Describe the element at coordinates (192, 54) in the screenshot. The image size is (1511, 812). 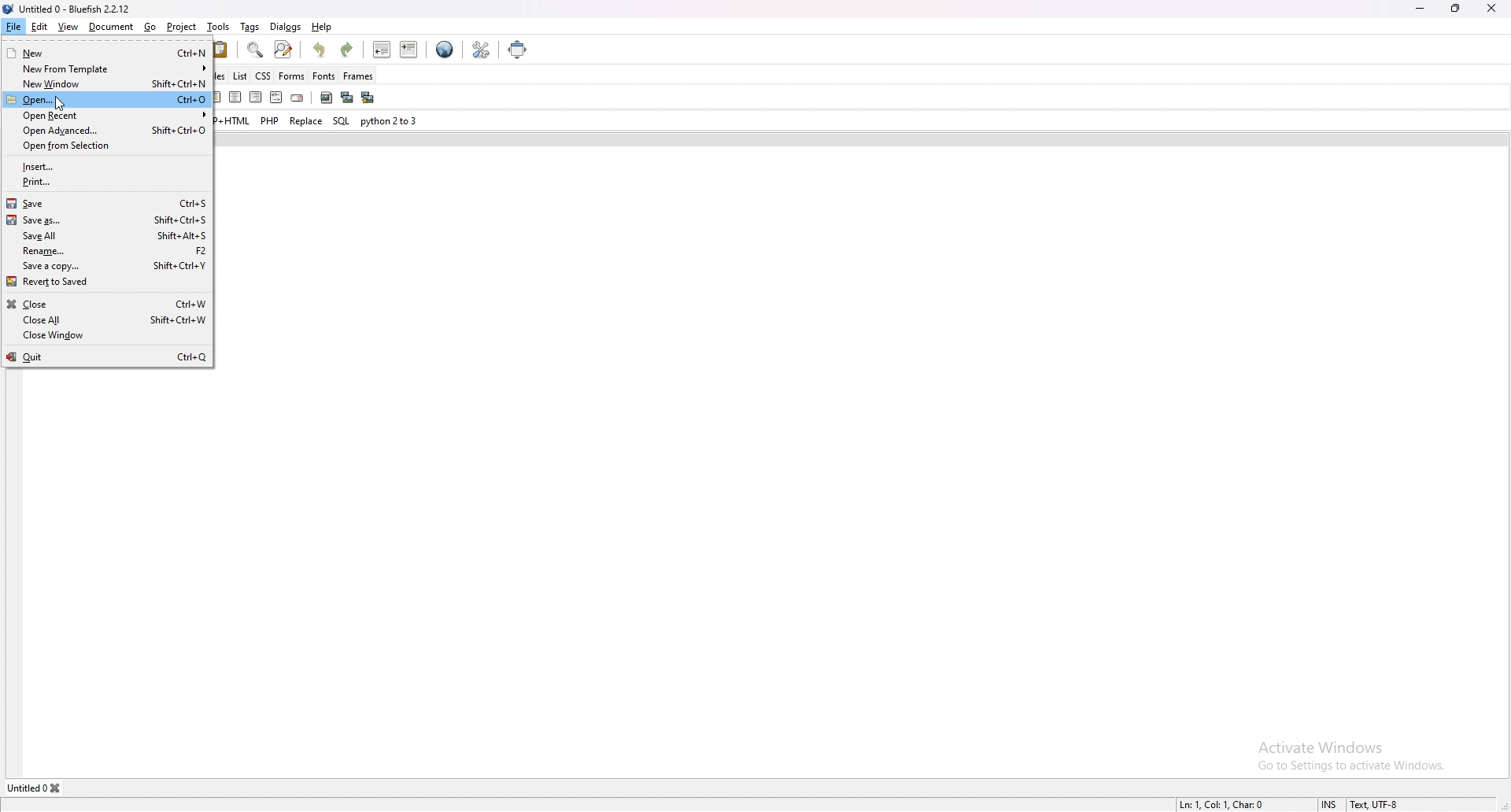
I see `Ctri+N.` at that location.